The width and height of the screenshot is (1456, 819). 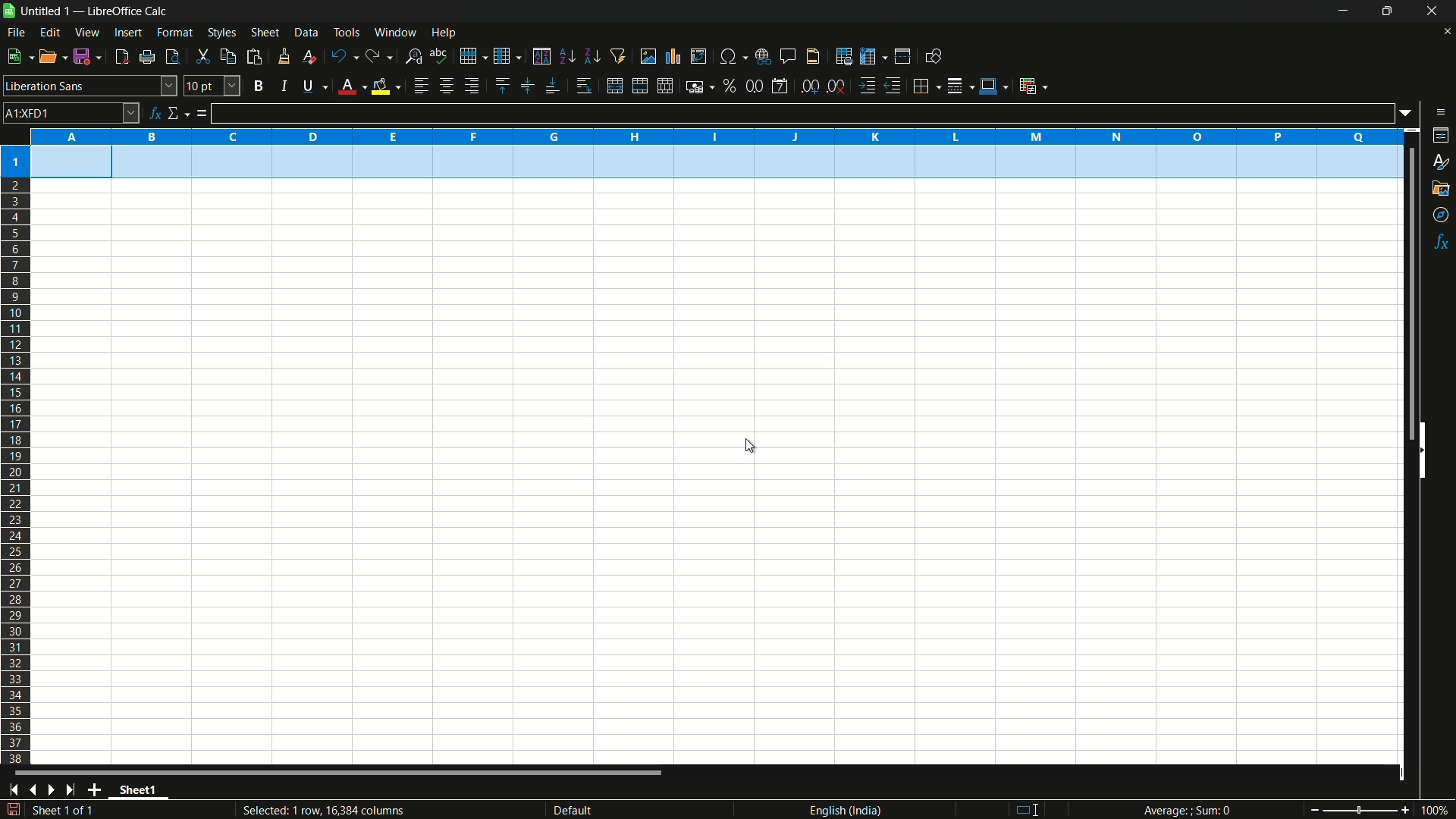 I want to click on default, so click(x=598, y=810).